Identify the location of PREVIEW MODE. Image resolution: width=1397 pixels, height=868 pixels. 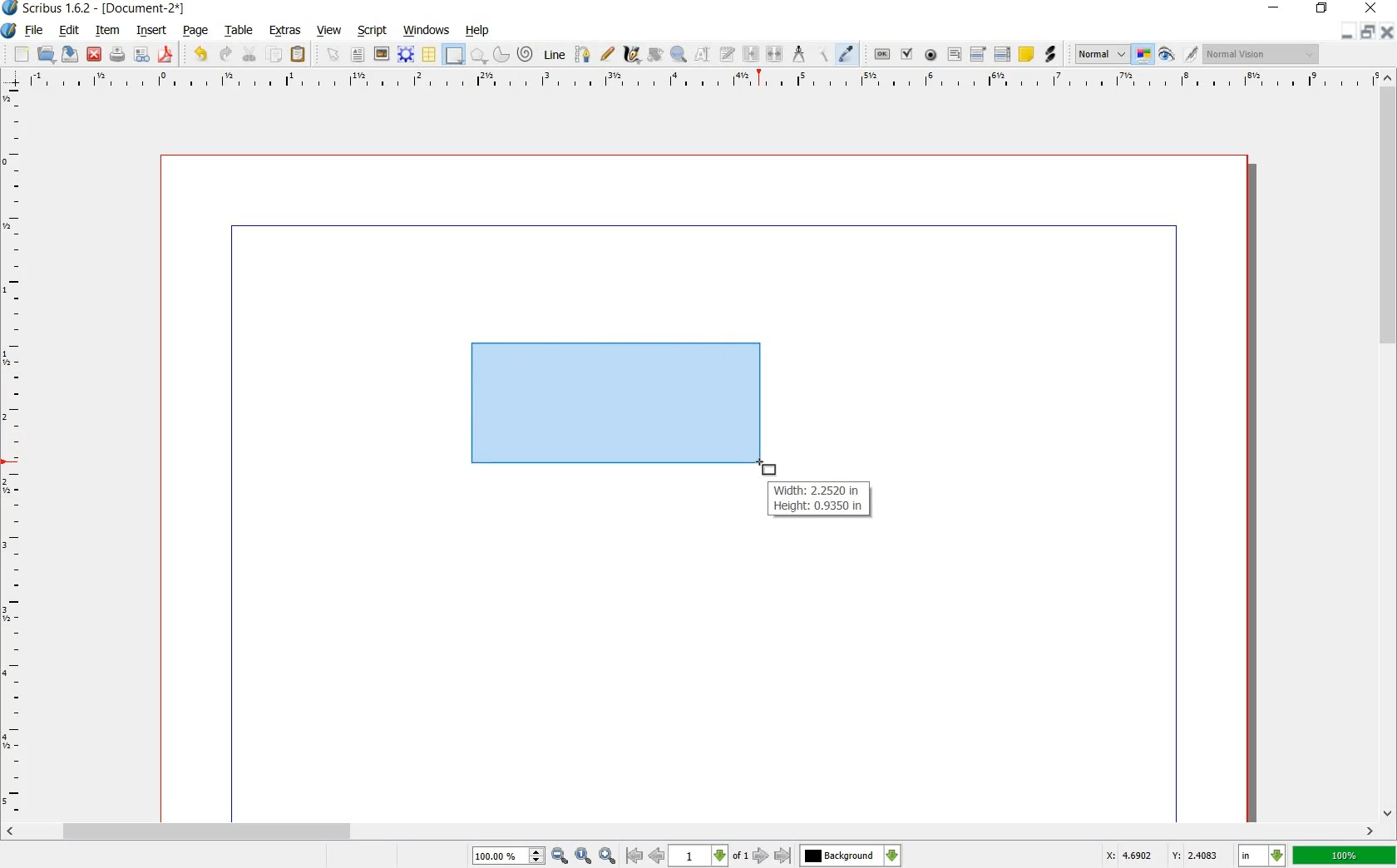
(1167, 55).